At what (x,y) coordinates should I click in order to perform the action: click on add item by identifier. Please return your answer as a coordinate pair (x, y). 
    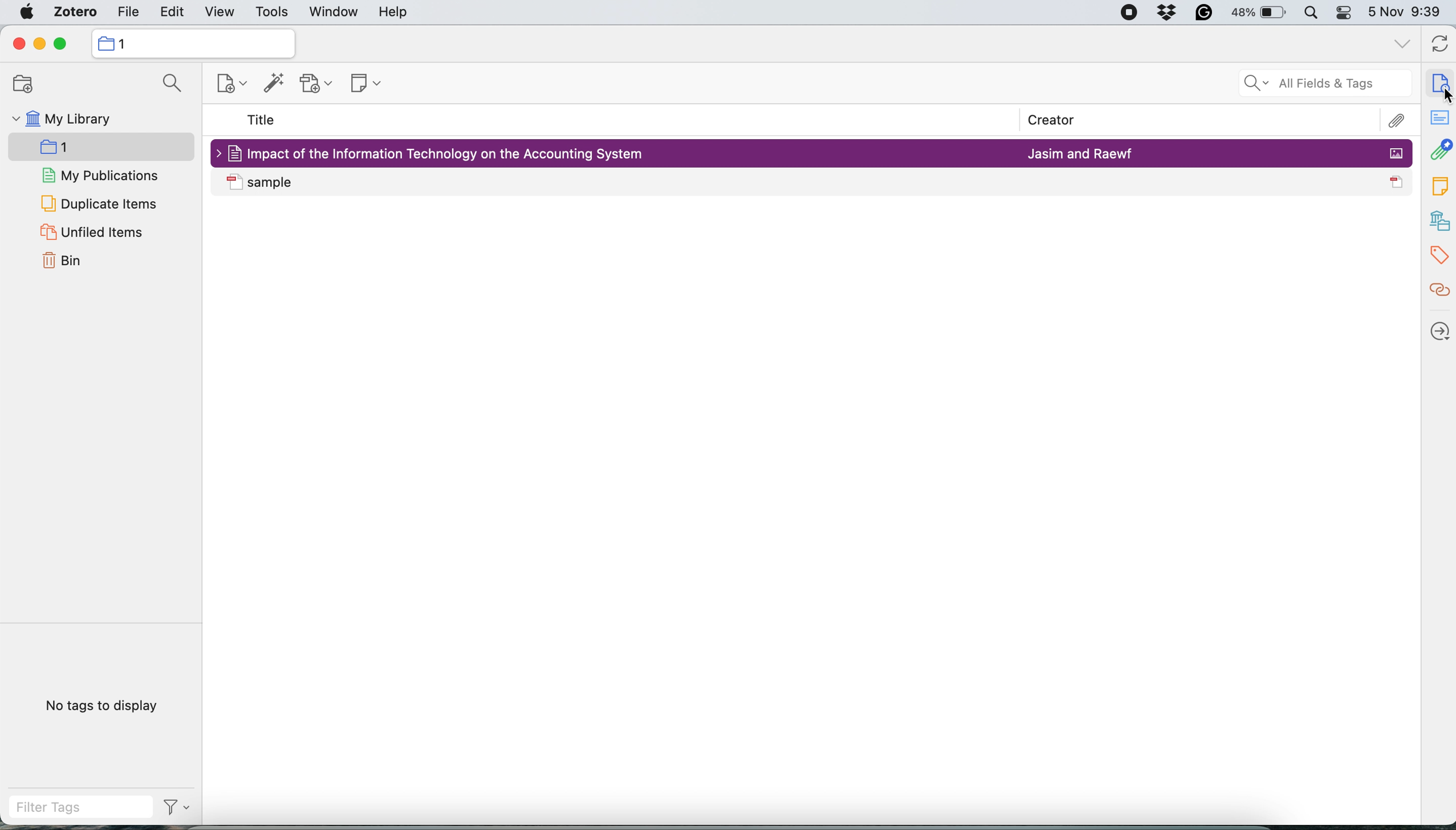
    Looking at the image, I should click on (277, 83).